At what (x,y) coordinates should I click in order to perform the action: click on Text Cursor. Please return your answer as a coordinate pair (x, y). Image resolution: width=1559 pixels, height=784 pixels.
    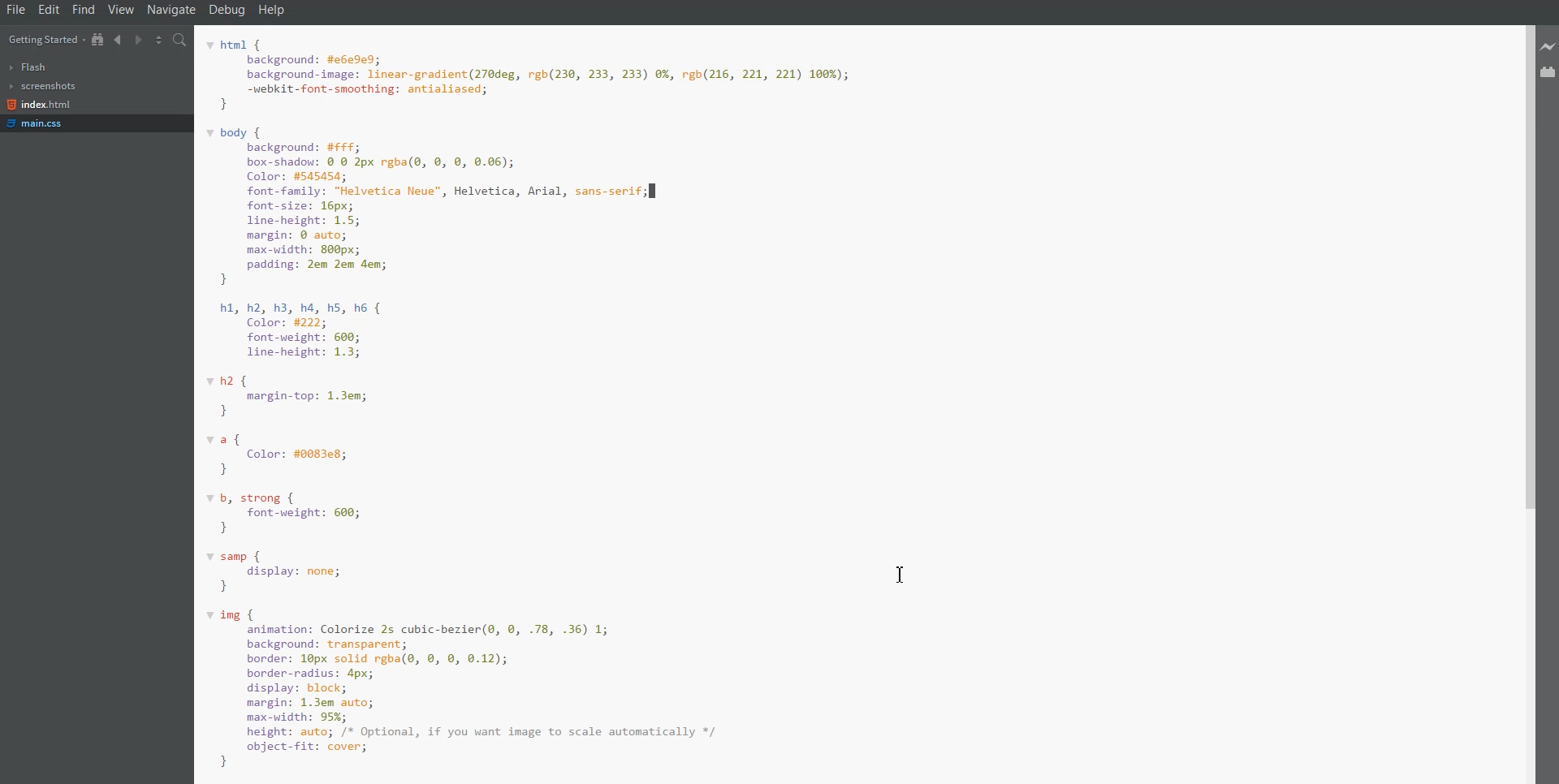
    Looking at the image, I should click on (900, 575).